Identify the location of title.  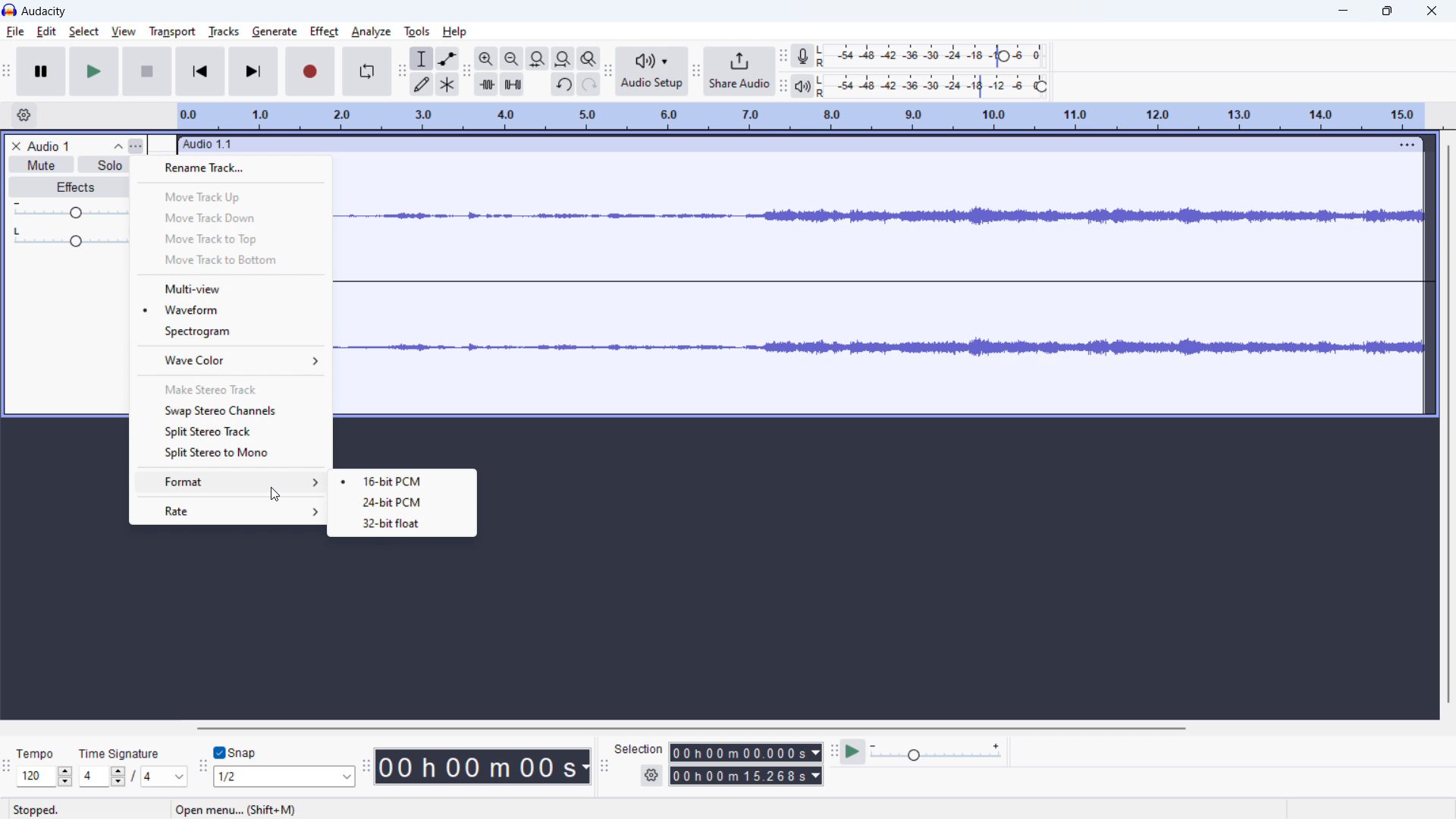
(45, 11).